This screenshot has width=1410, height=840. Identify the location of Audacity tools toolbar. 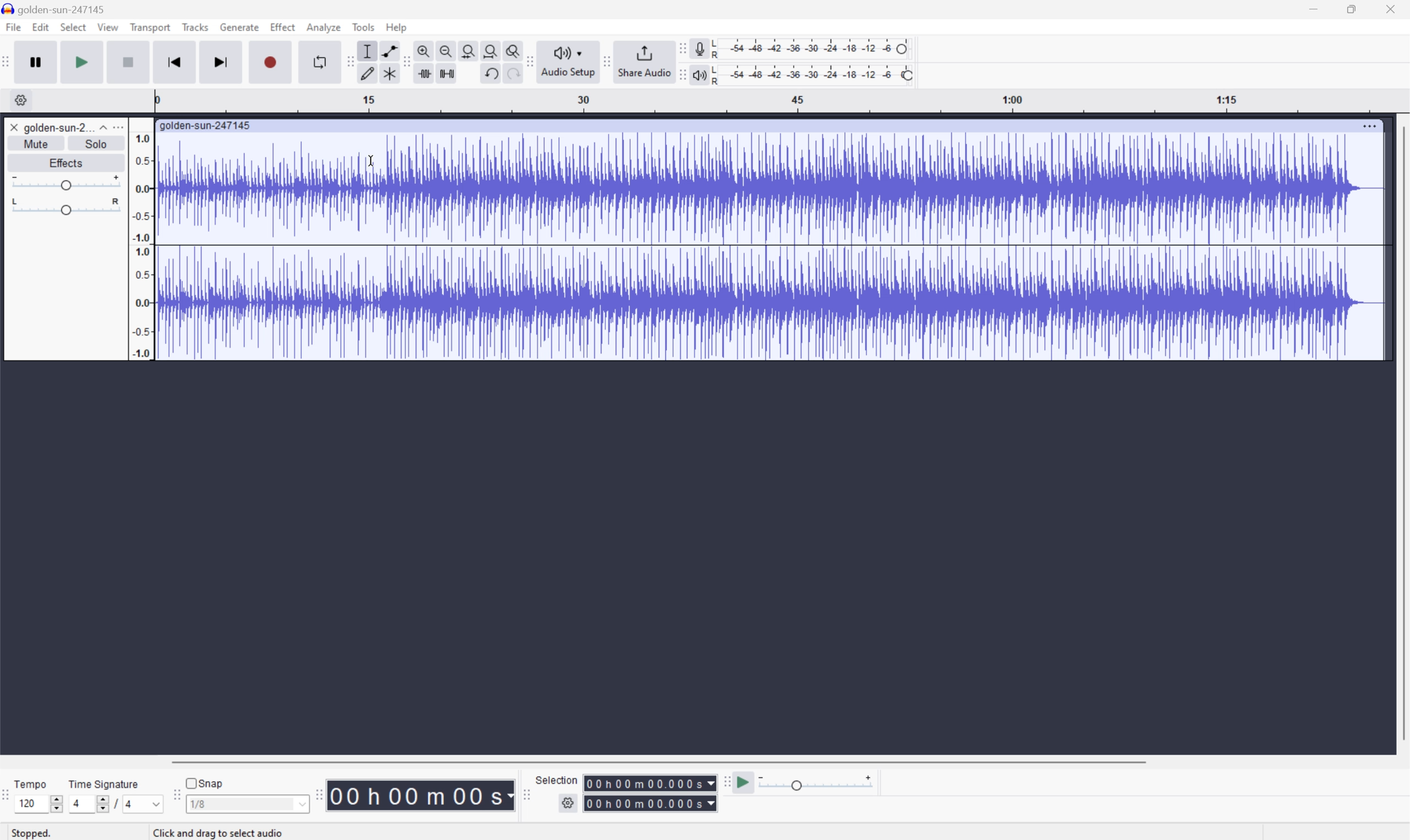
(403, 61).